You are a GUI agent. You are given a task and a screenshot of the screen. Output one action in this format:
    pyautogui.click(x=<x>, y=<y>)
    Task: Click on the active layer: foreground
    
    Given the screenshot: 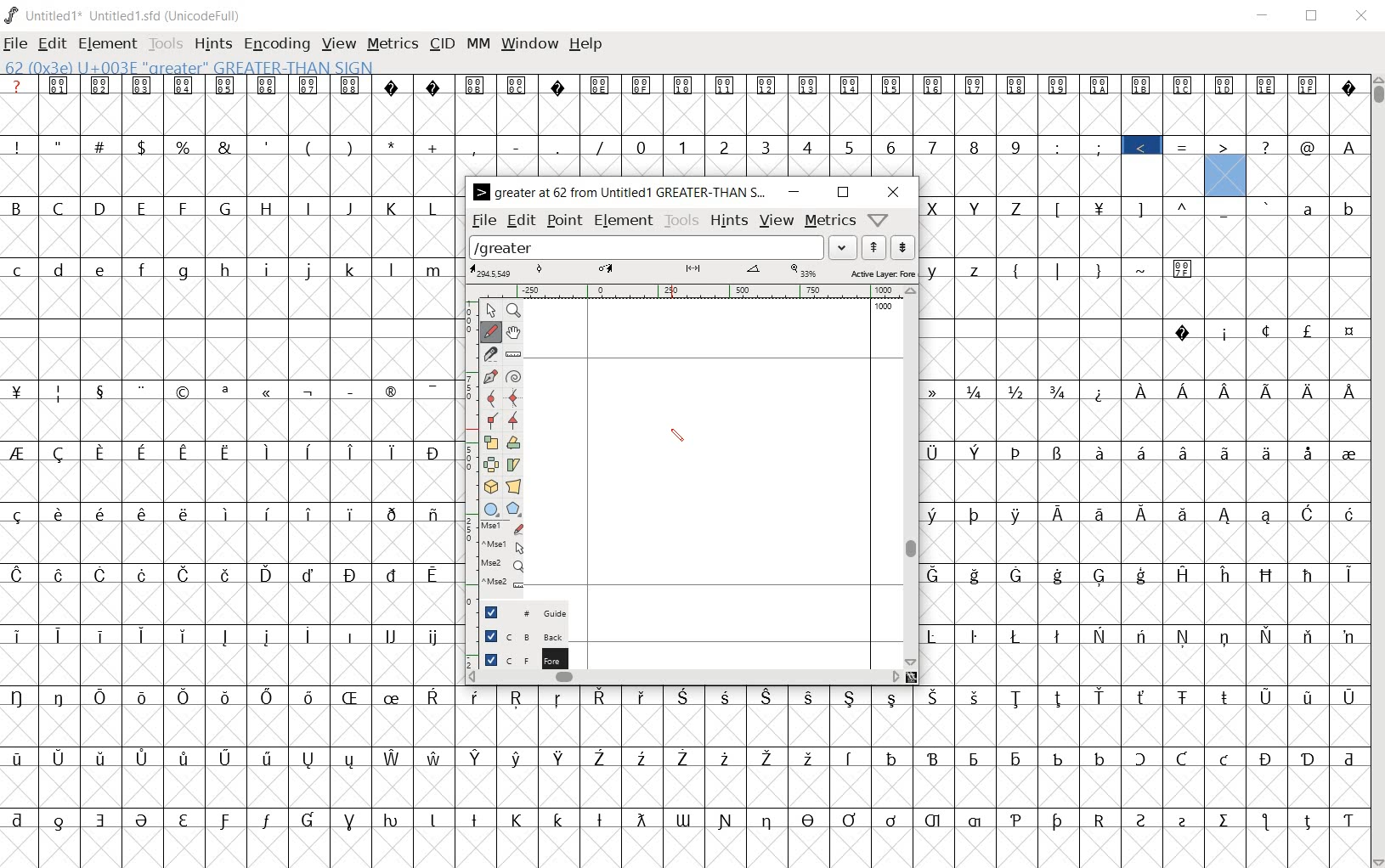 What is the action you would take?
    pyautogui.click(x=692, y=272)
    